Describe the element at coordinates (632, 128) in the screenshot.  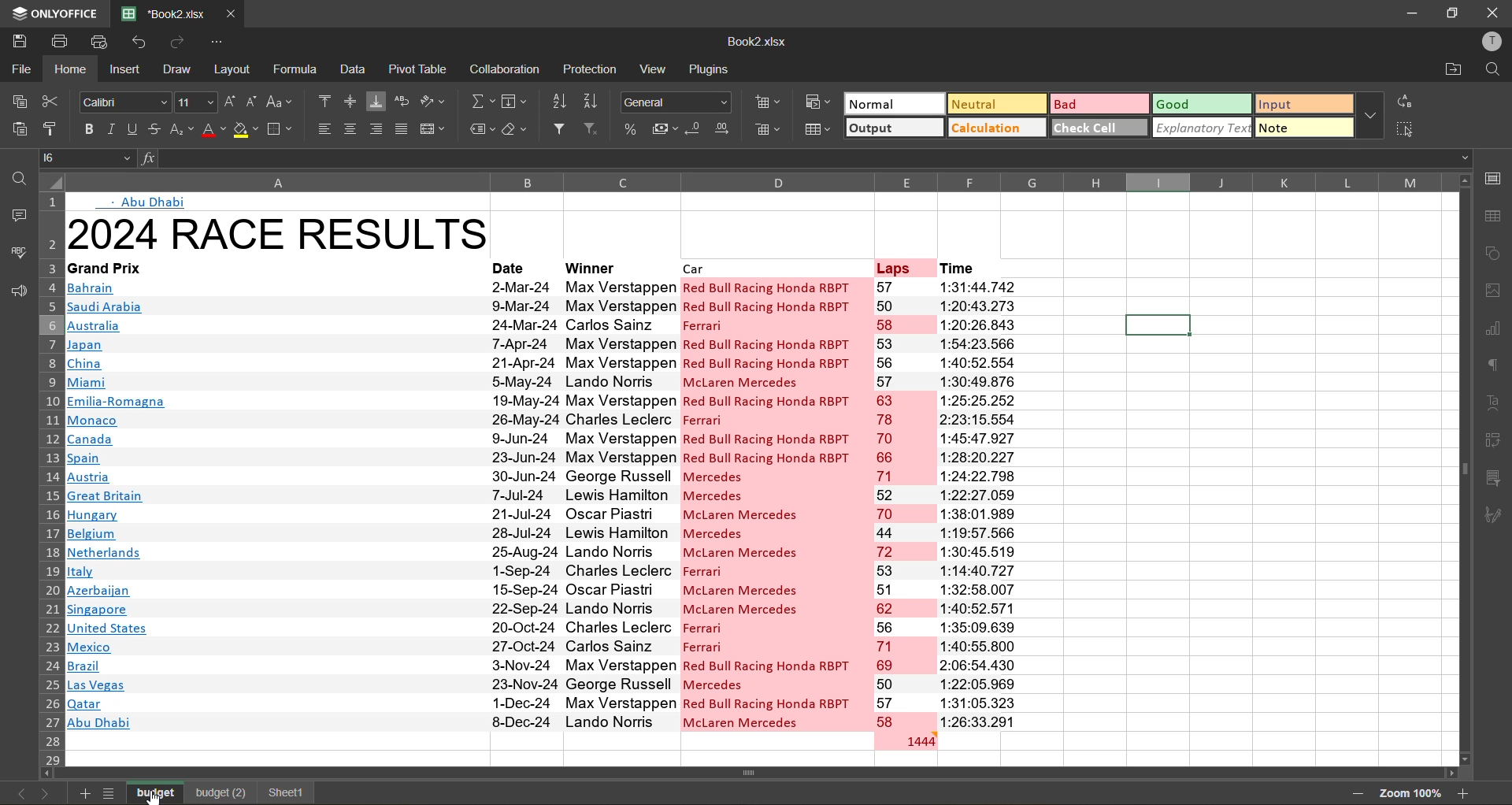
I see `percent` at that location.